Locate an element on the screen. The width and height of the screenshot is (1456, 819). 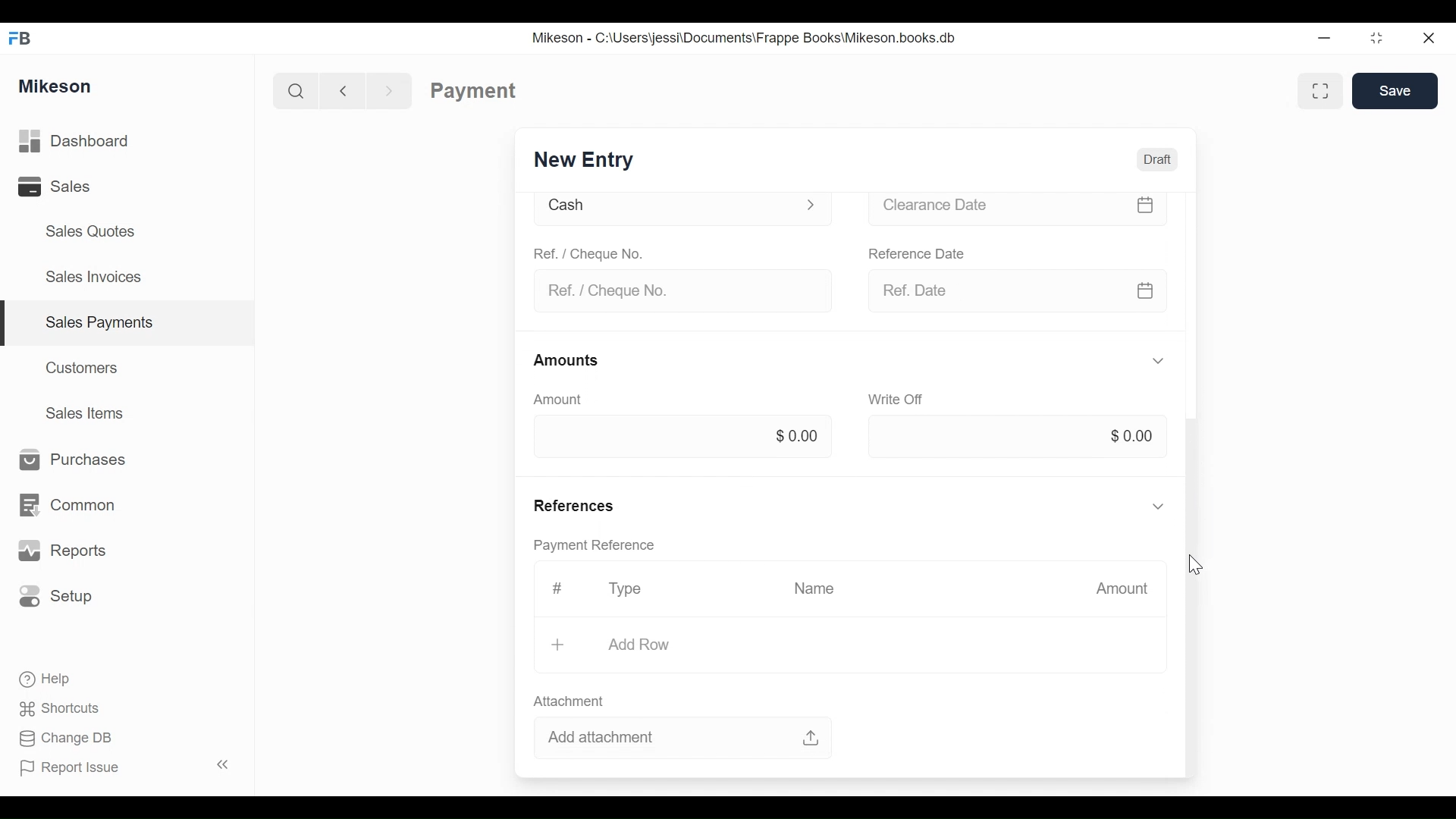
Mikeson - C:\Users\jessi\Documents\Frappe Books\Mikeson.books.db is located at coordinates (745, 38).